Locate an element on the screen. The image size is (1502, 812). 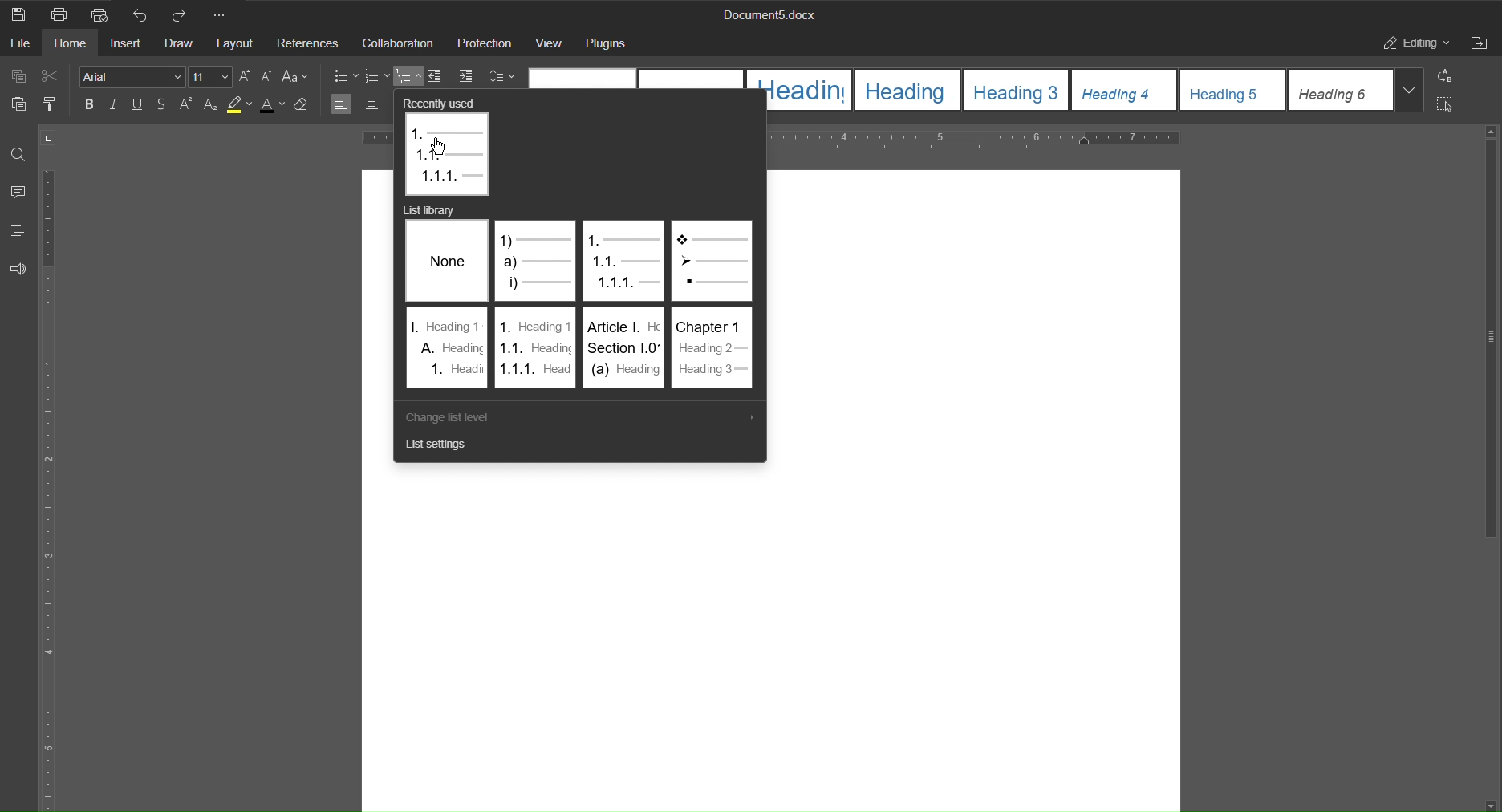
View  is located at coordinates (551, 45).